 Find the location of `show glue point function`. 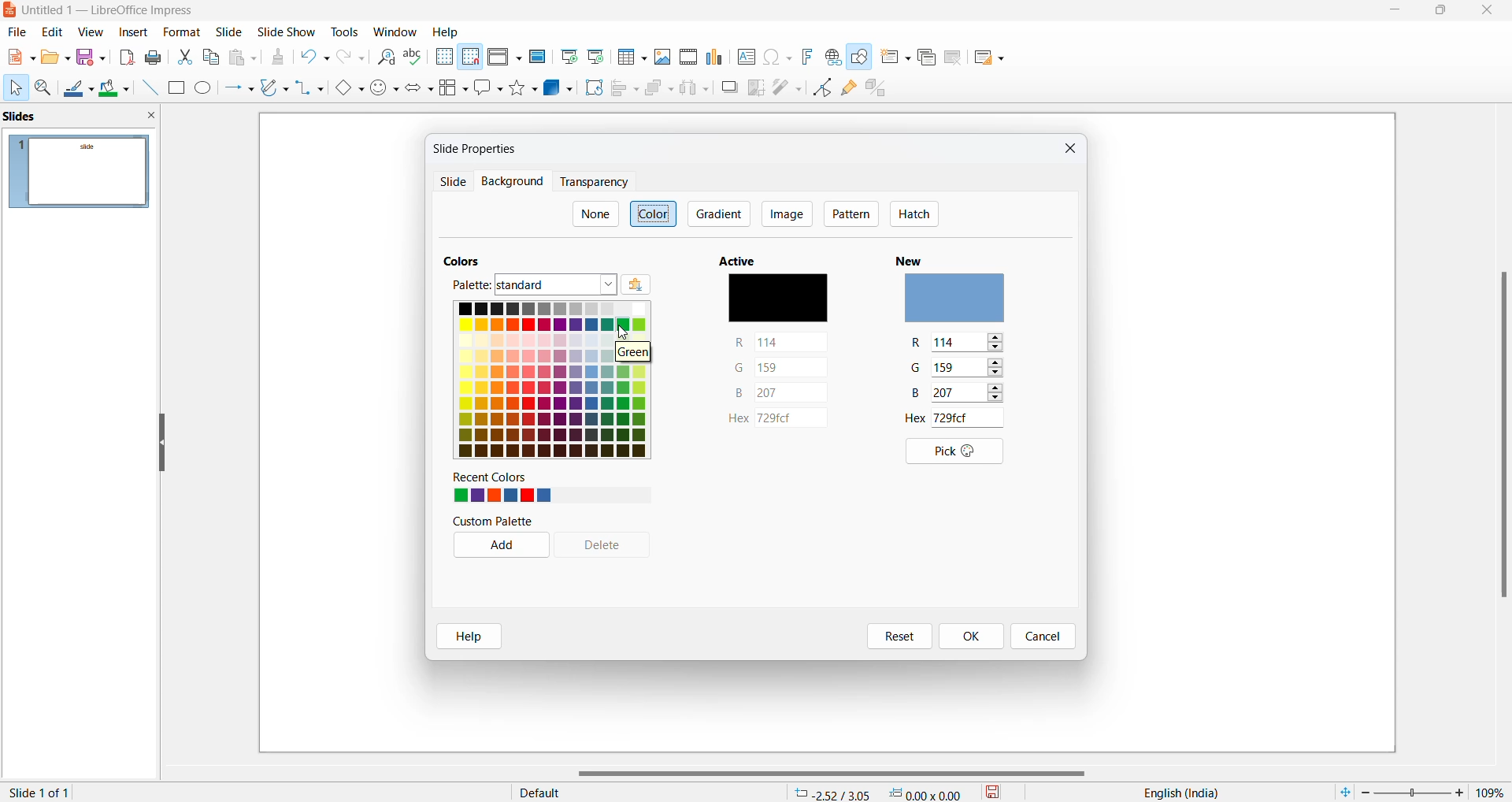

show glue point function is located at coordinates (850, 91).